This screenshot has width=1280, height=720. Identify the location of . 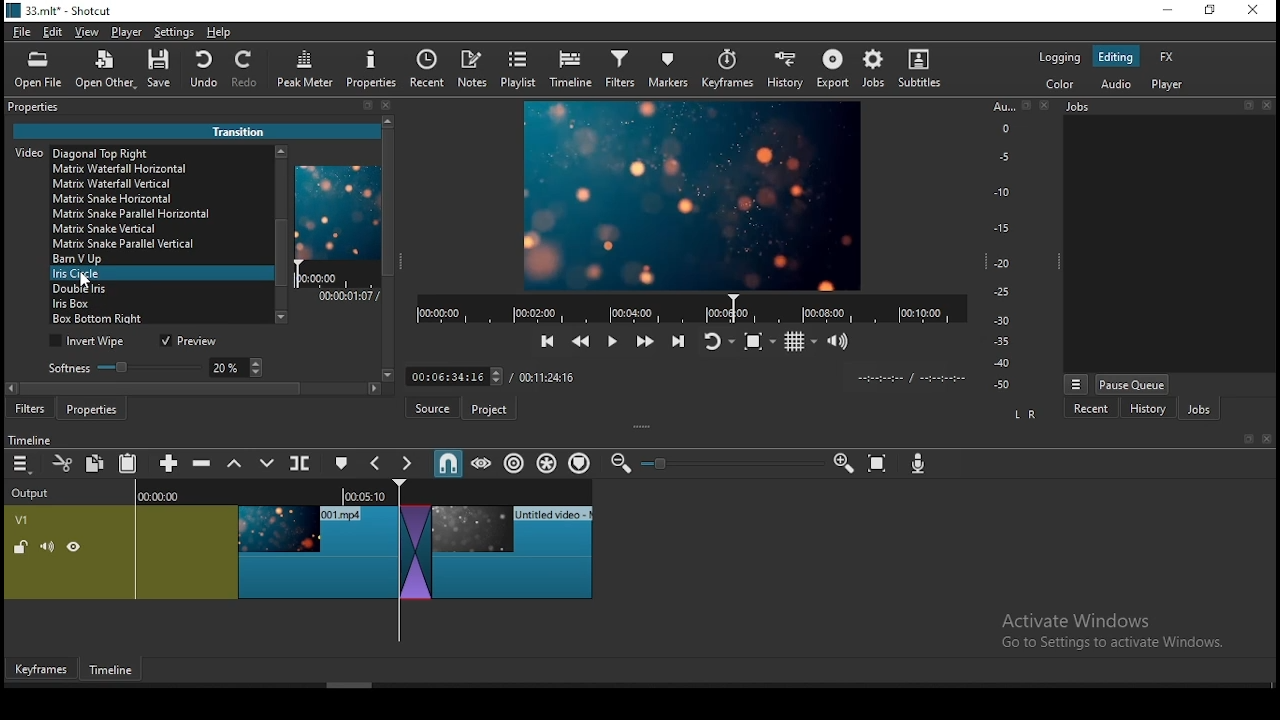
(1269, 105).